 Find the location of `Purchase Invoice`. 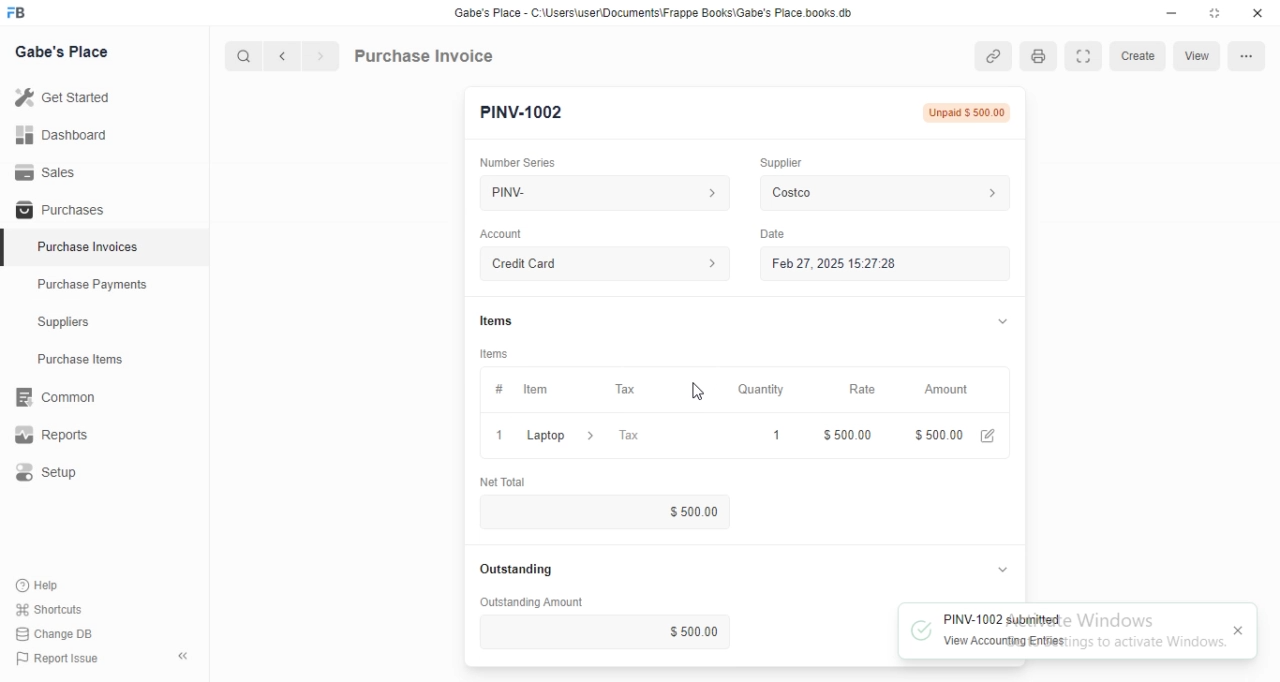

Purchase Invoice is located at coordinates (425, 55).